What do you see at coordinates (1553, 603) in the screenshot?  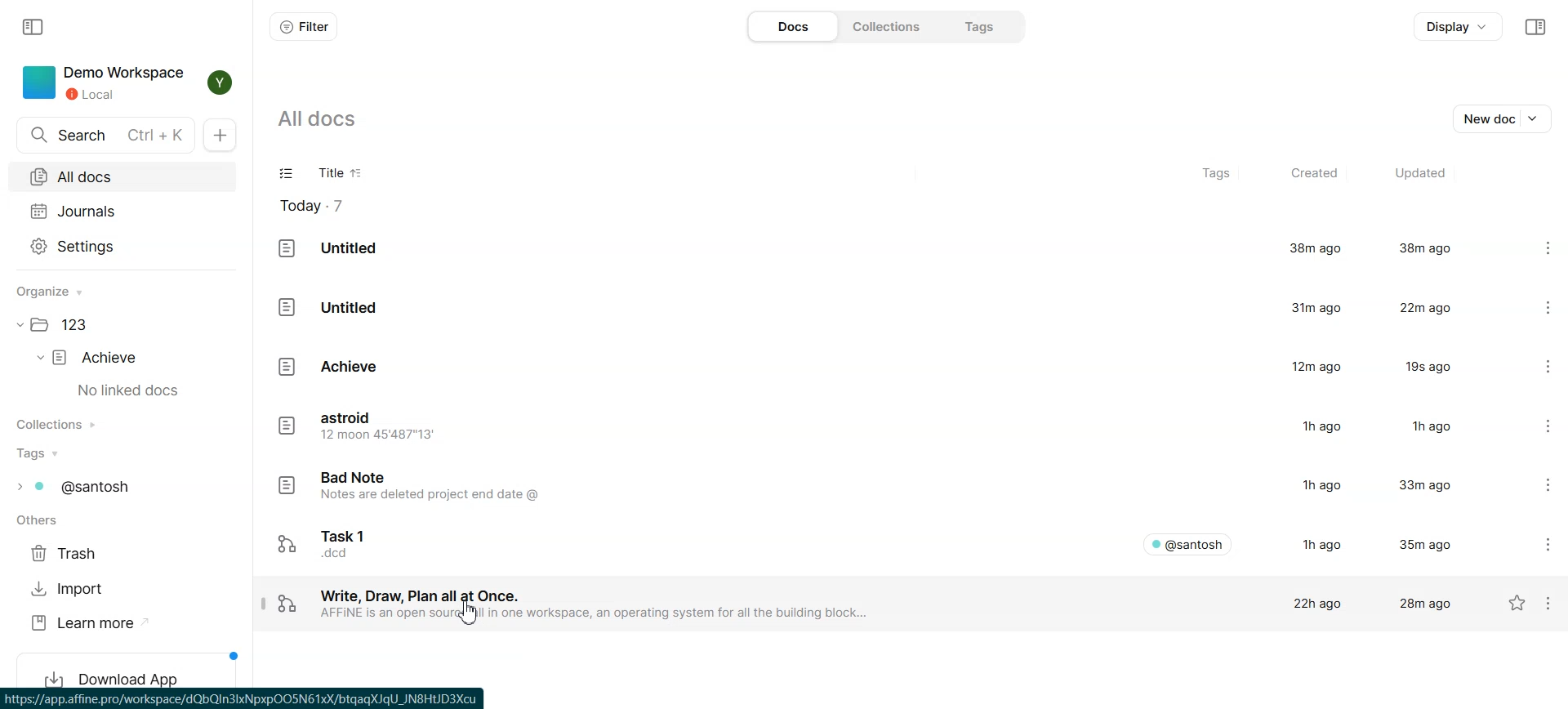 I see `Settings` at bounding box center [1553, 603].